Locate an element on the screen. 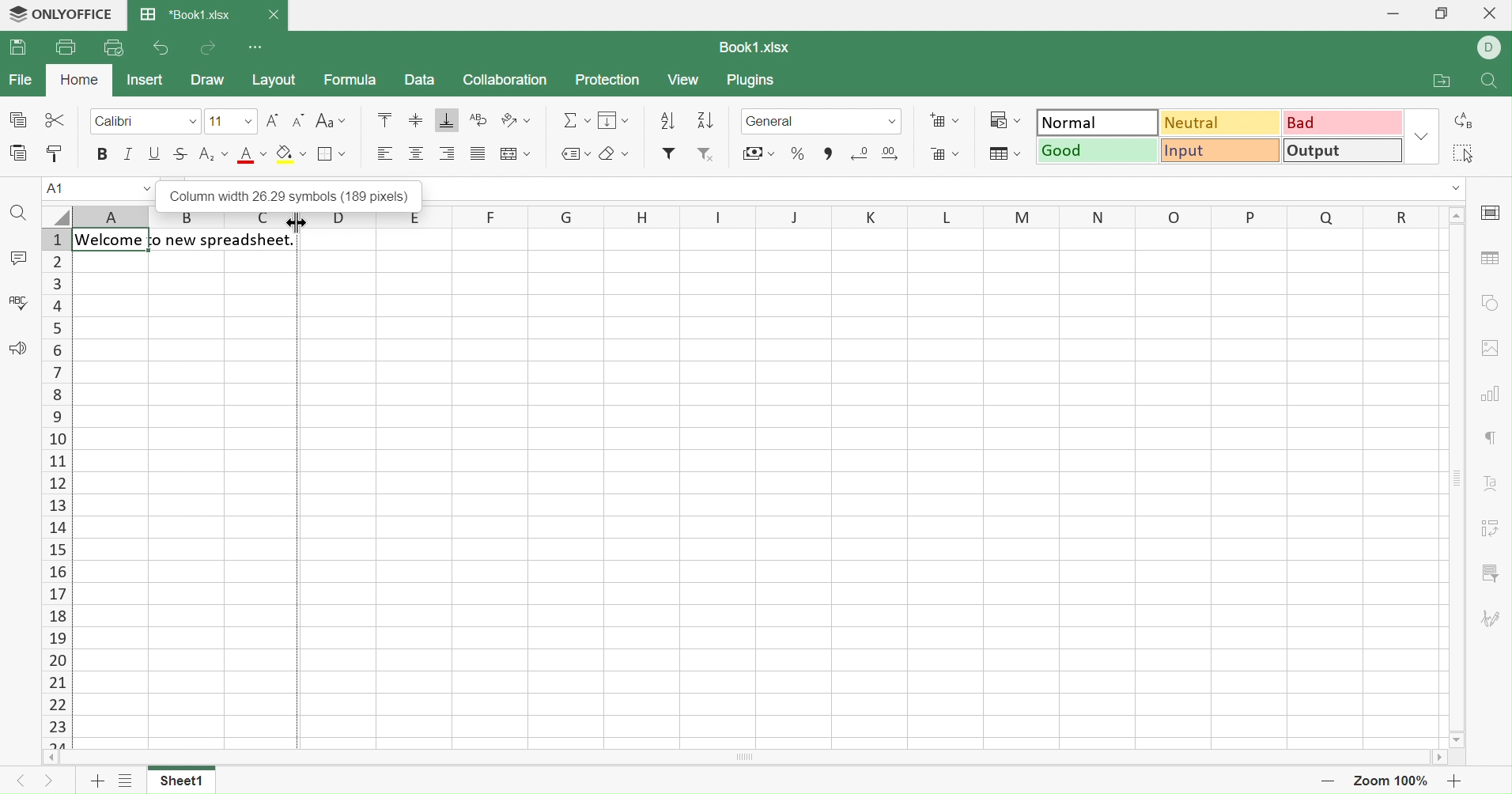 The width and height of the screenshot is (1512, 794). Align is located at coordinates (415, 154).